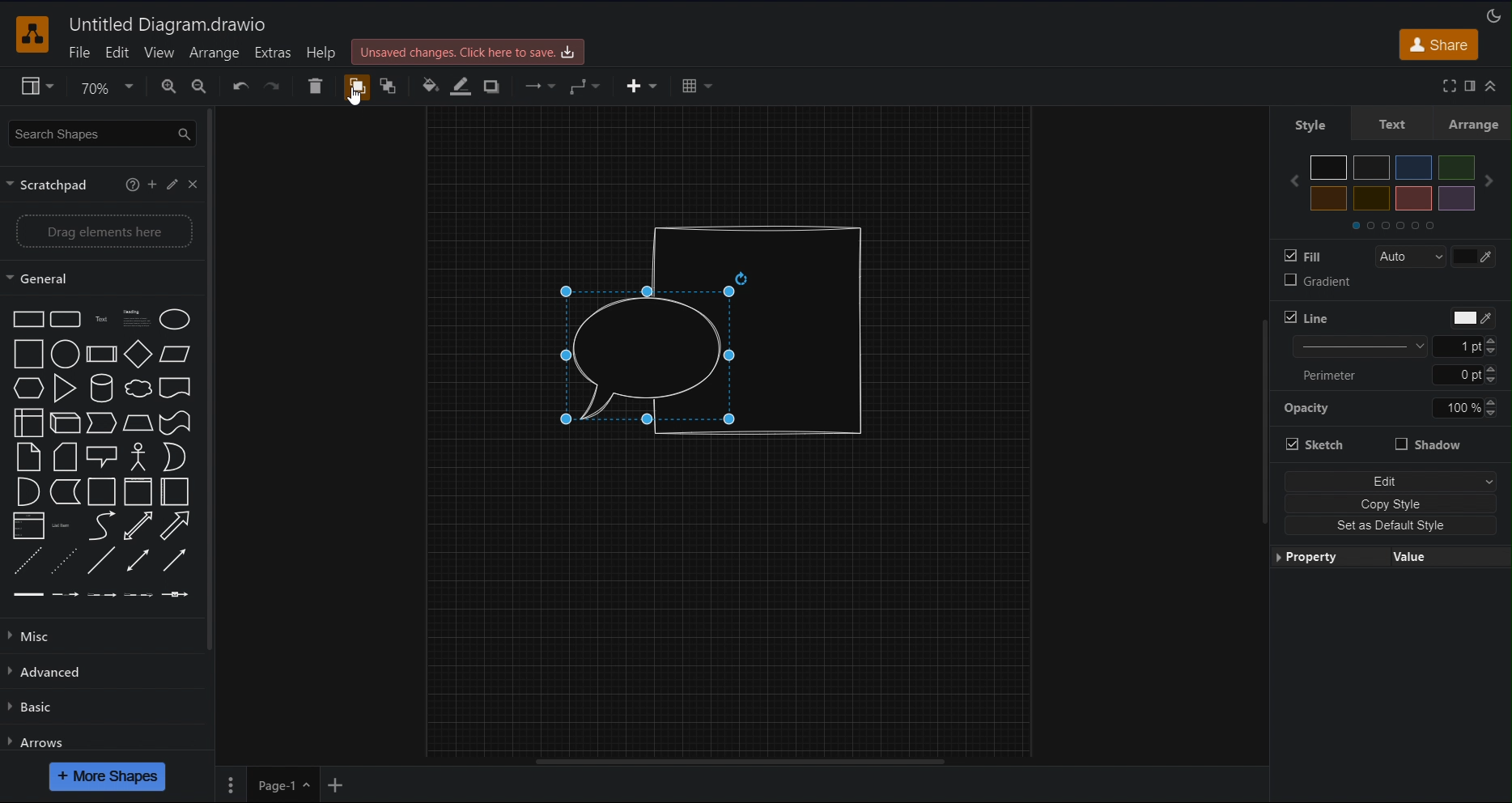  What do you see at coordinates (101, 423) in the screenshot?
I see `Step` at bounding box center [101, 423].